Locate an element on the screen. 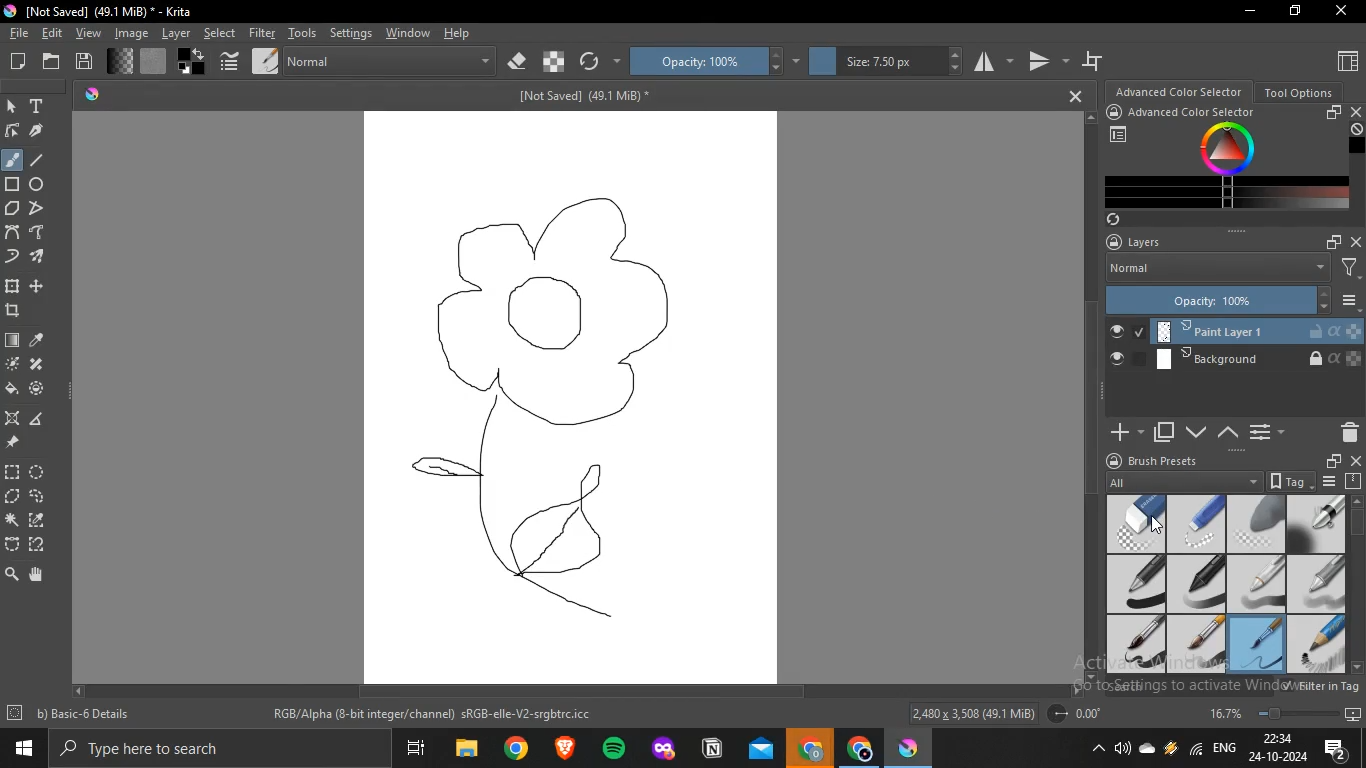 This screenshot has height=768, width=1366. freehand selection tool is located at coordinates (37, 495).